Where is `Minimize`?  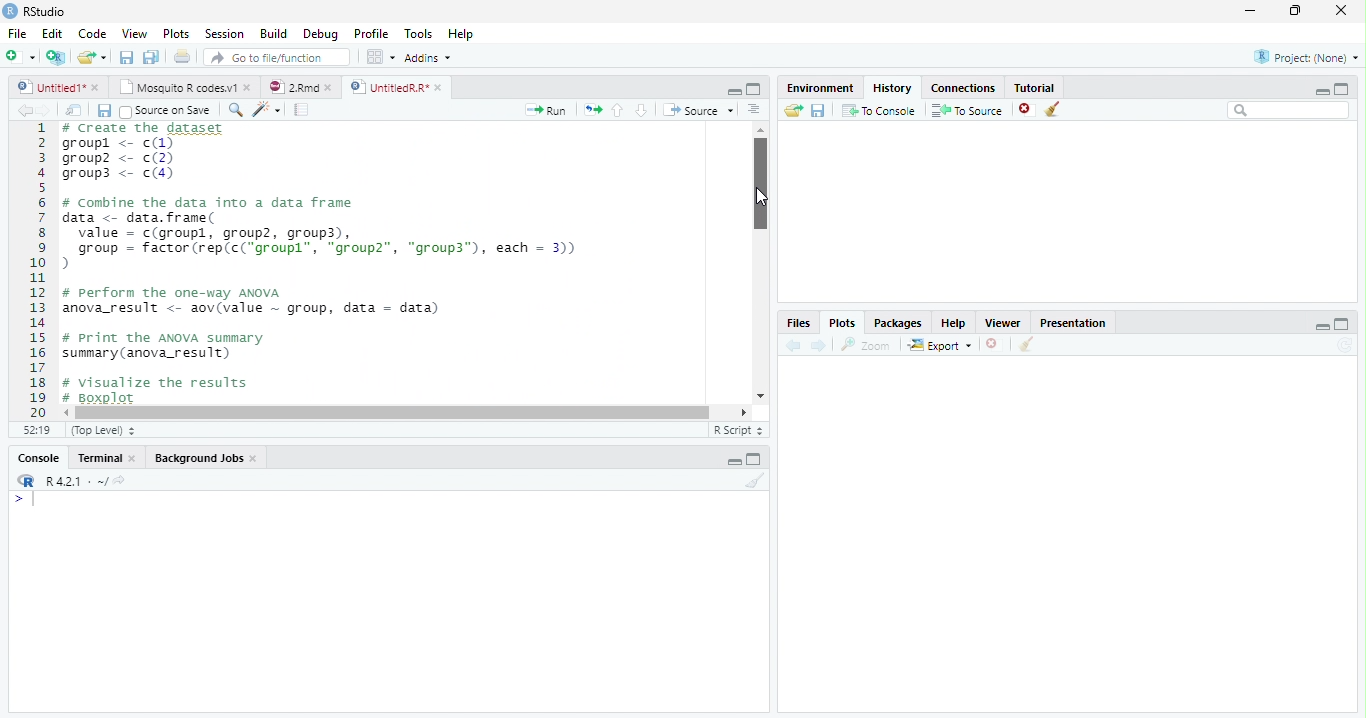 Minimize is located at coordinates (734, 463).